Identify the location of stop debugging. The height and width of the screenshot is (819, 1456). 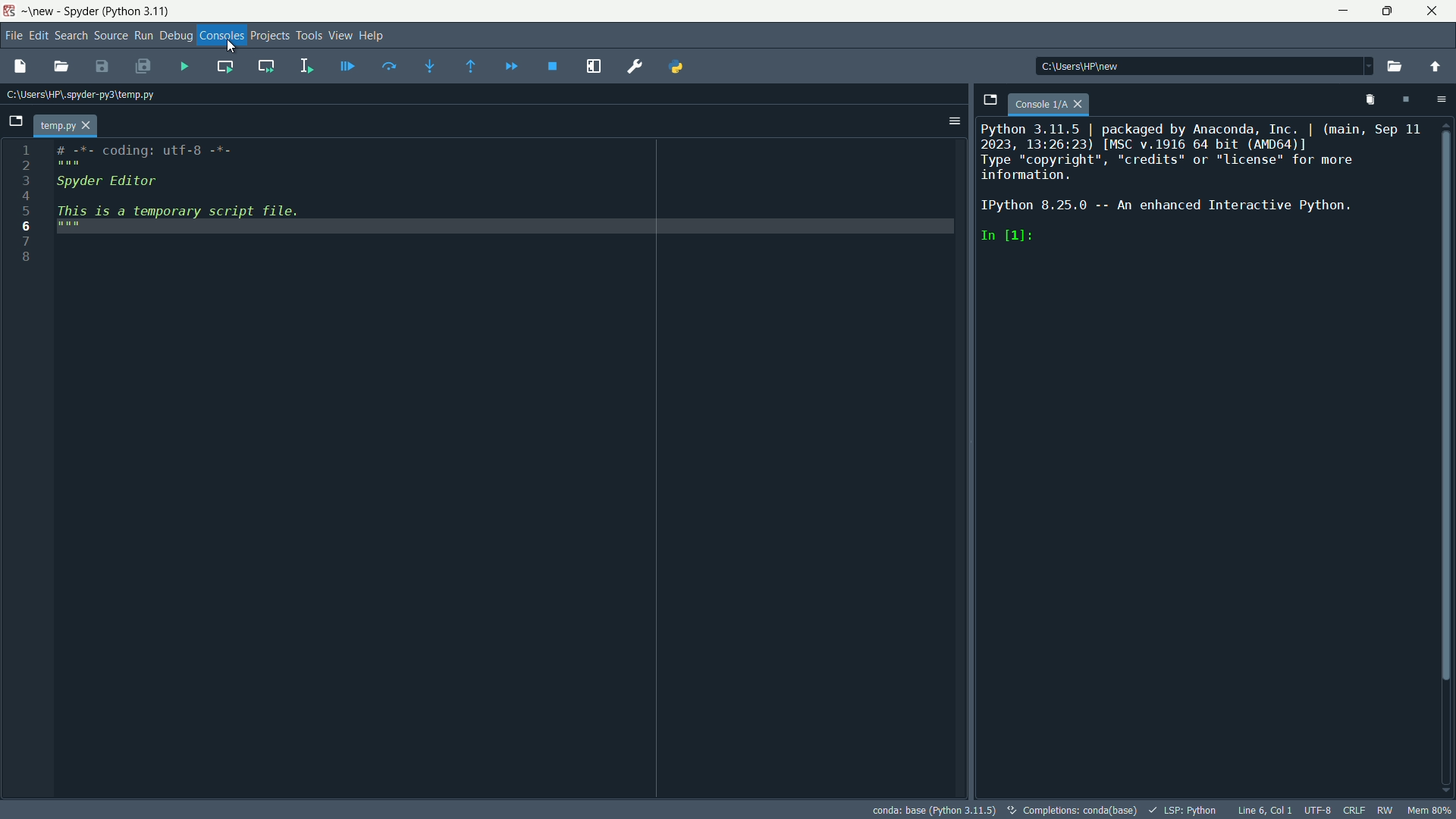
(551, 67).